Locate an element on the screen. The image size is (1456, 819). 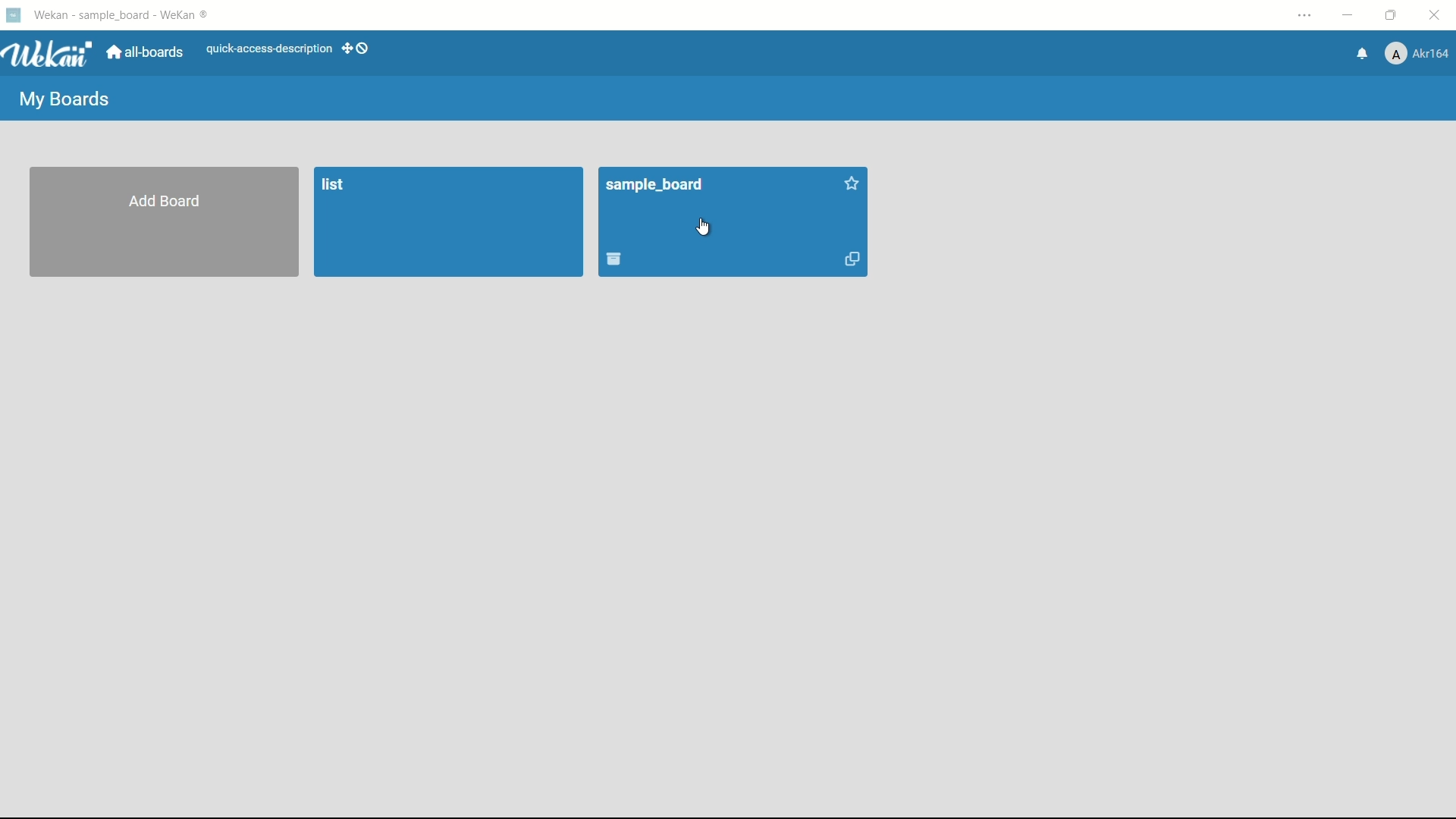
Wekan logo is located at coordinates (49, 55).